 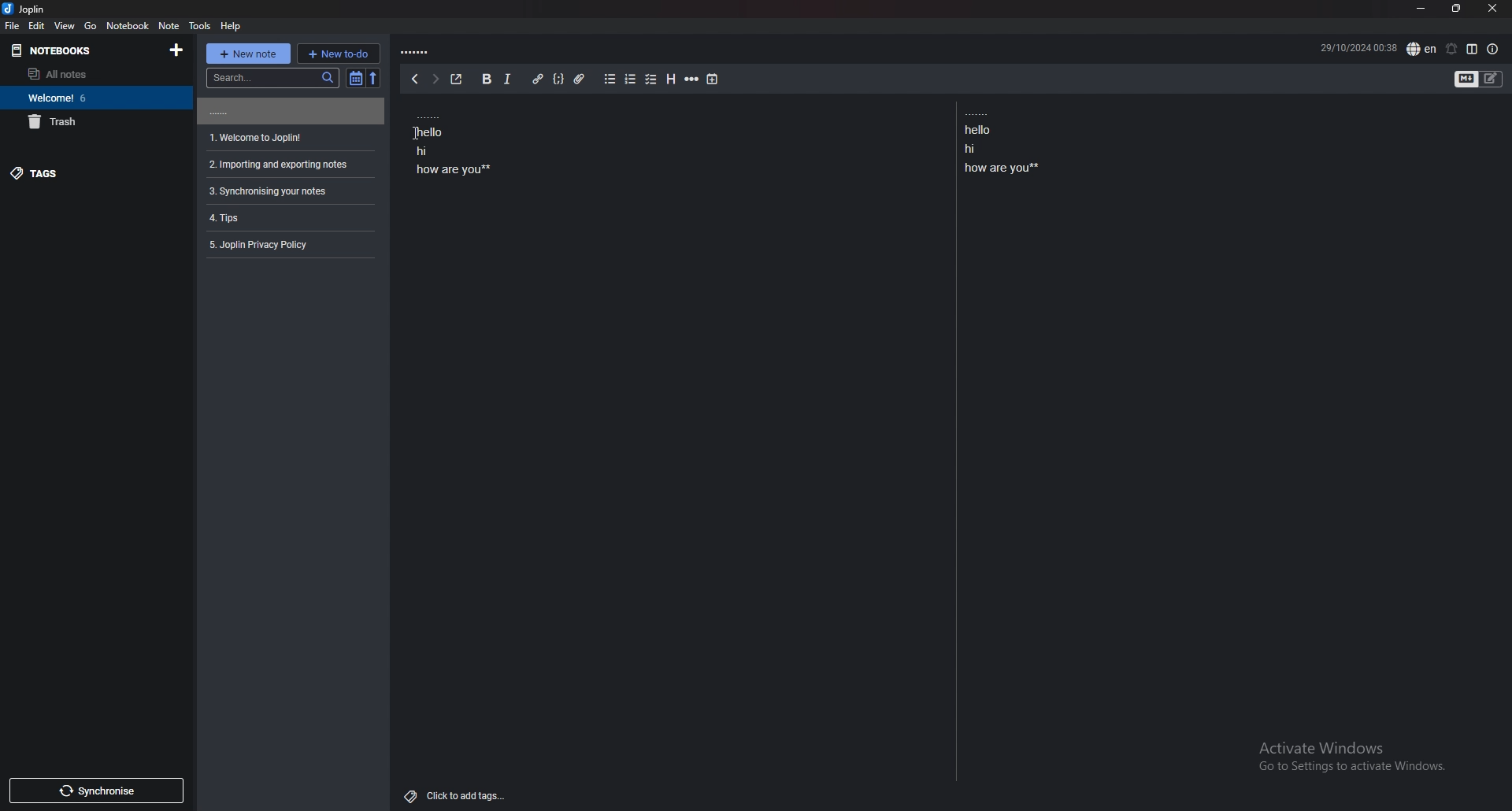 What do you see at coordinates (417, 53) in the screenshot?
I see `note title` at bounding box center [417, 53].